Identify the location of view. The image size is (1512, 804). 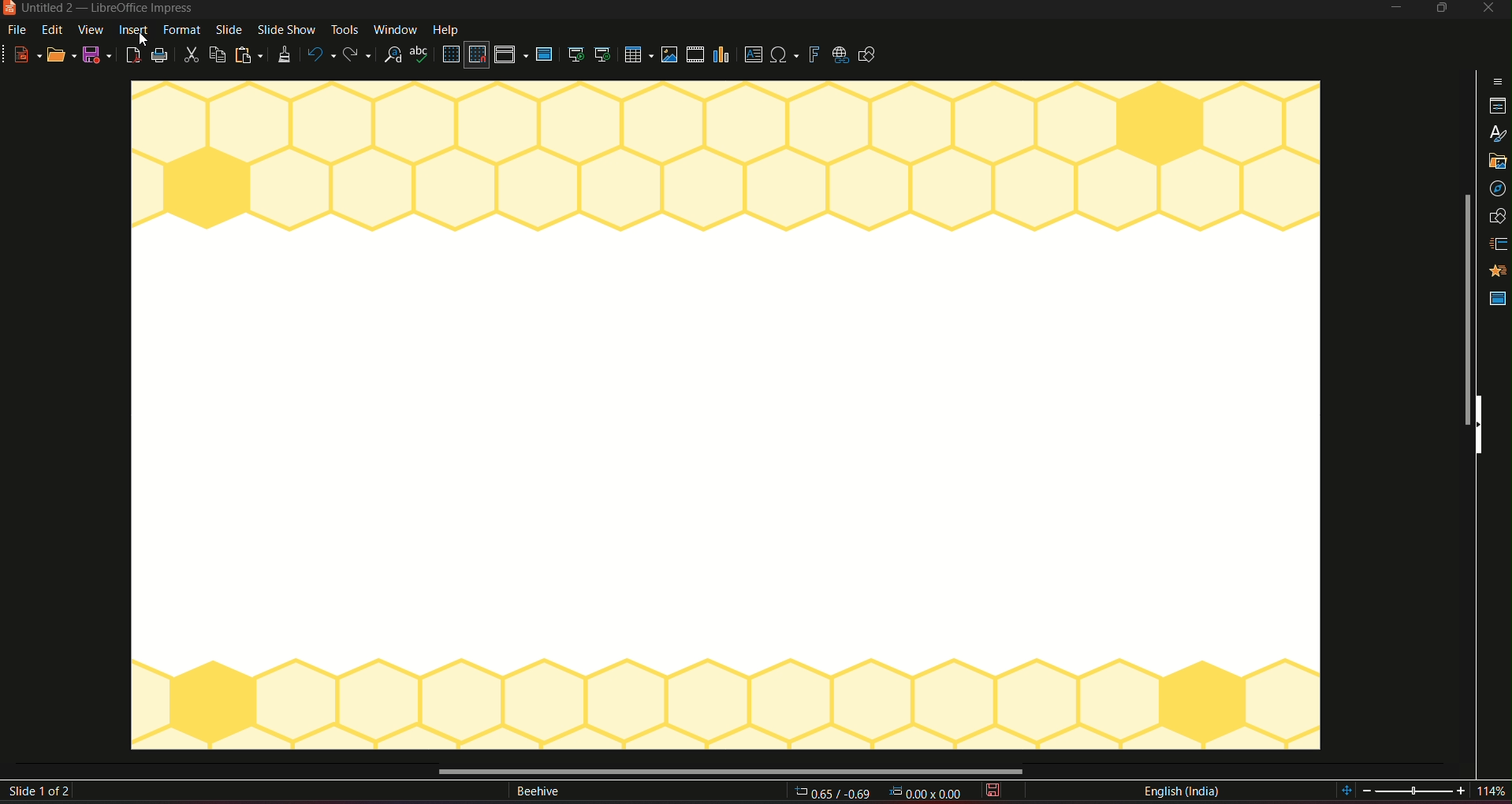
(91, 30).